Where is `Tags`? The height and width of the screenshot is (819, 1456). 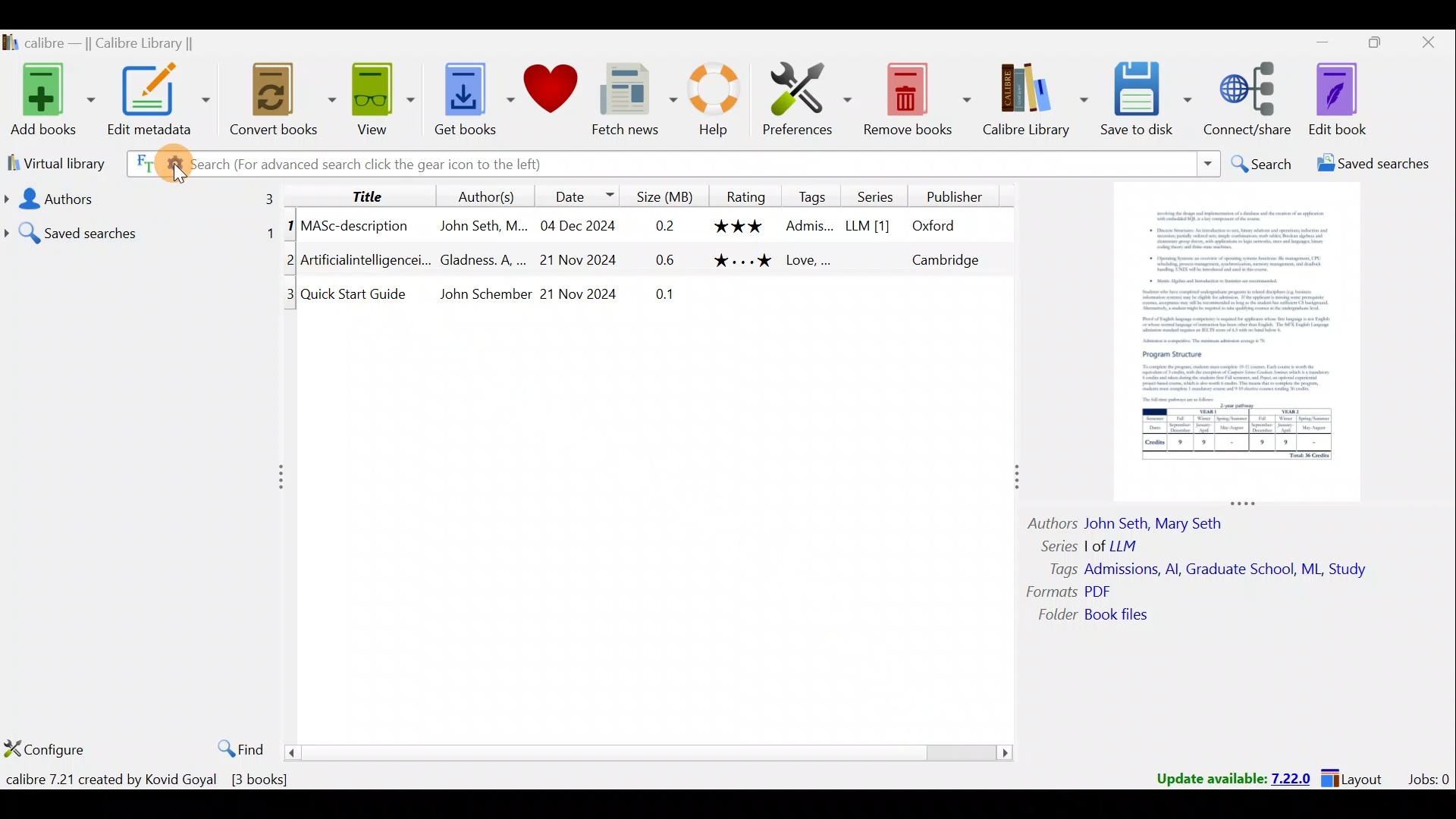 Tags is located at coordinates (813, 196).